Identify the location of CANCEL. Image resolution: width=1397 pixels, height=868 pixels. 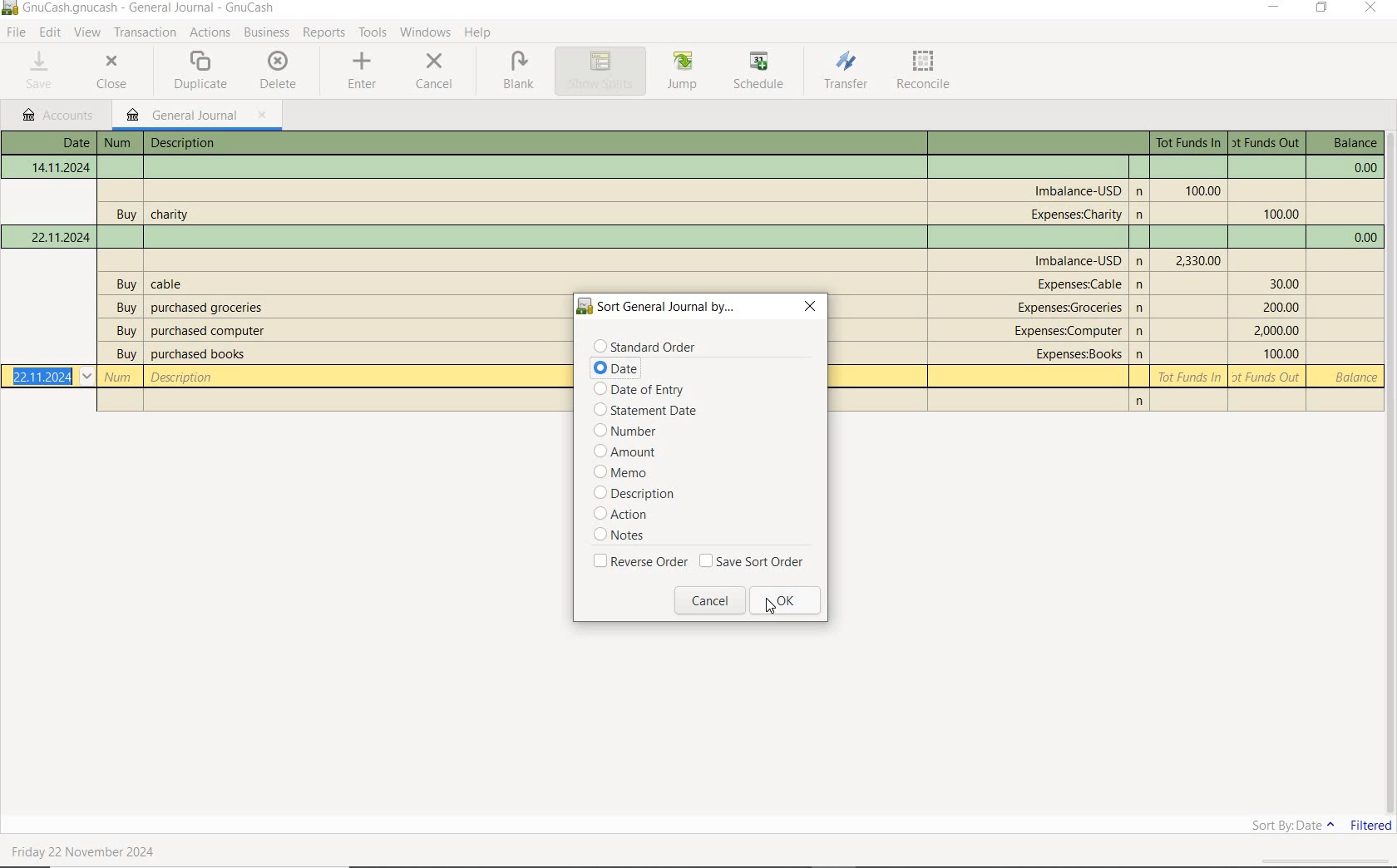
(435, 70).